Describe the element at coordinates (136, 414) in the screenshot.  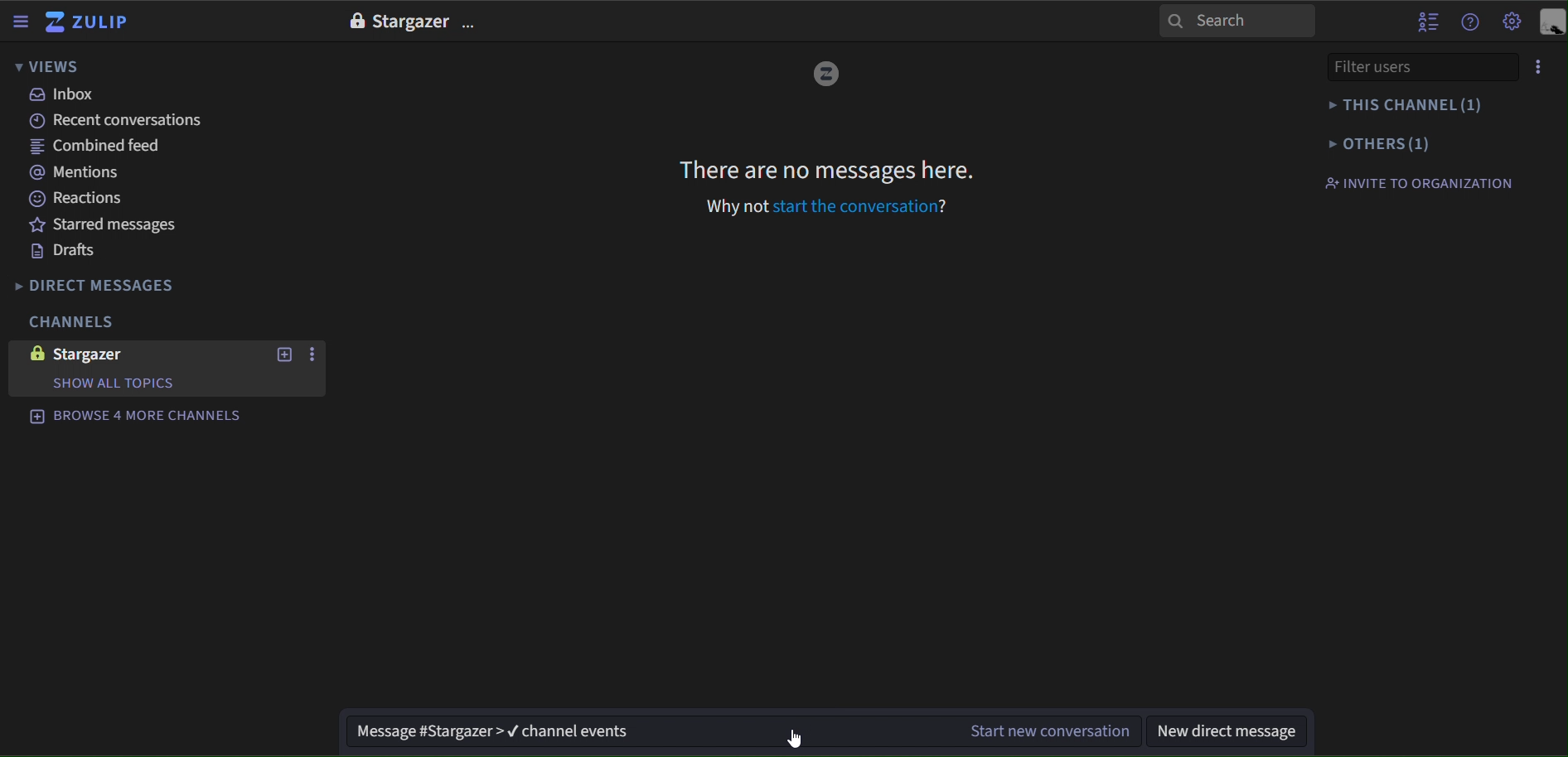
I see `browse 4 more channels` at that location.